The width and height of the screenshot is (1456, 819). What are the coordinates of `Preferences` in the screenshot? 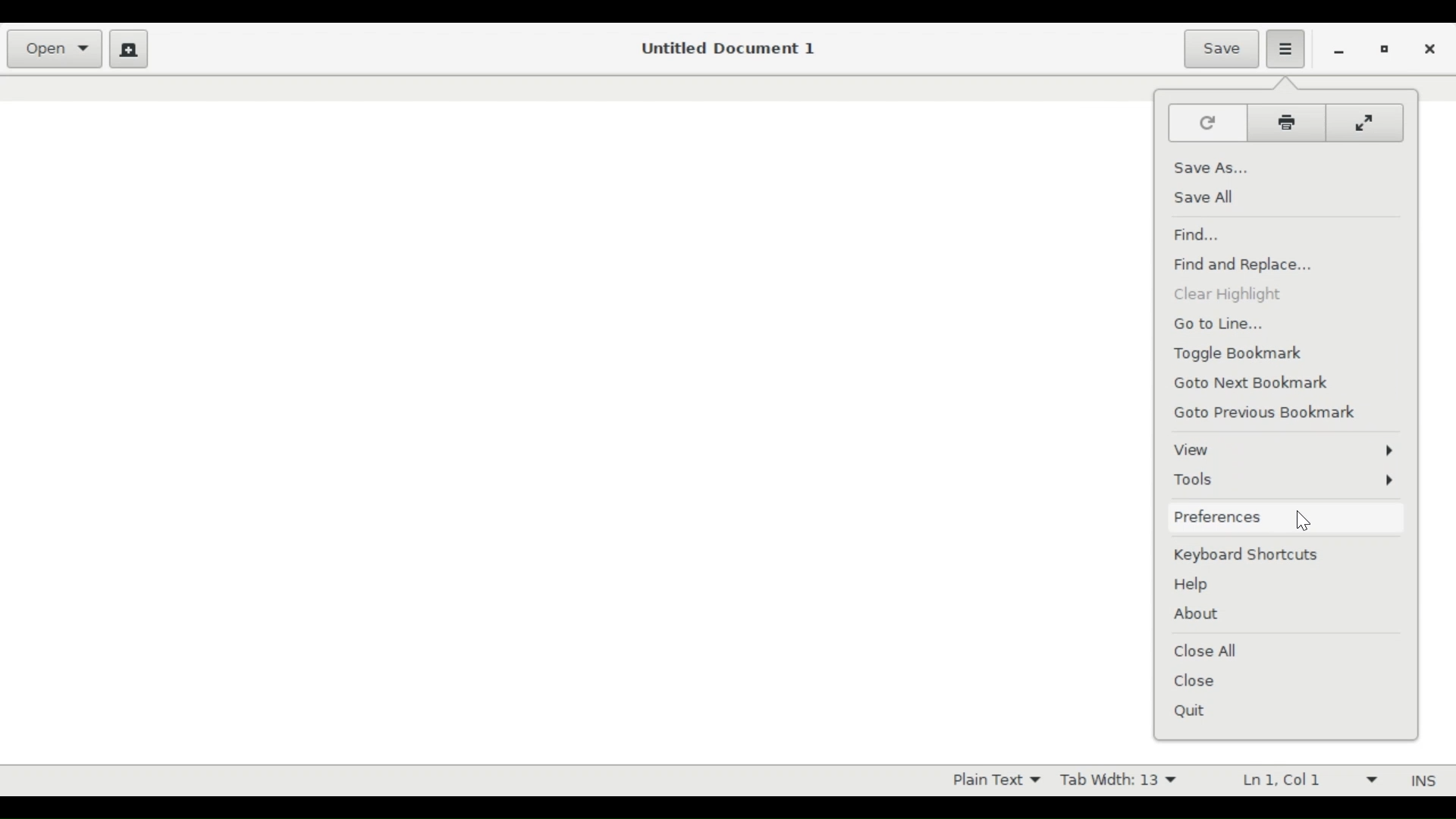 It's located at (1284, 517).